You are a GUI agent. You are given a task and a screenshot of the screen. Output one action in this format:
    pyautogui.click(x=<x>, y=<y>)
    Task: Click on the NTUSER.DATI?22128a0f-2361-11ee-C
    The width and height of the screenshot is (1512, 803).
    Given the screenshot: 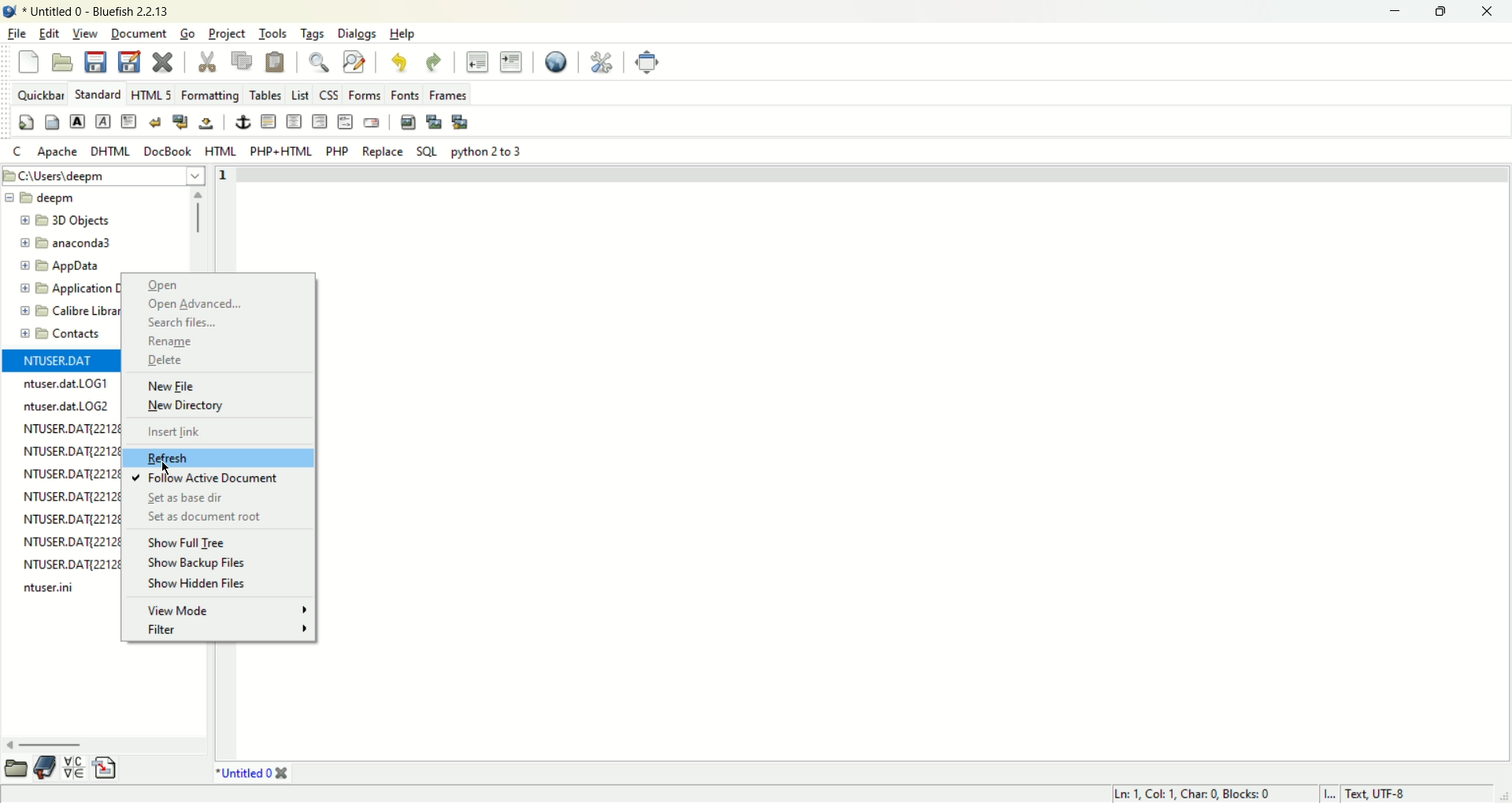 What is the action you would take?
    pyautogui.click(x=72, y=472)
    